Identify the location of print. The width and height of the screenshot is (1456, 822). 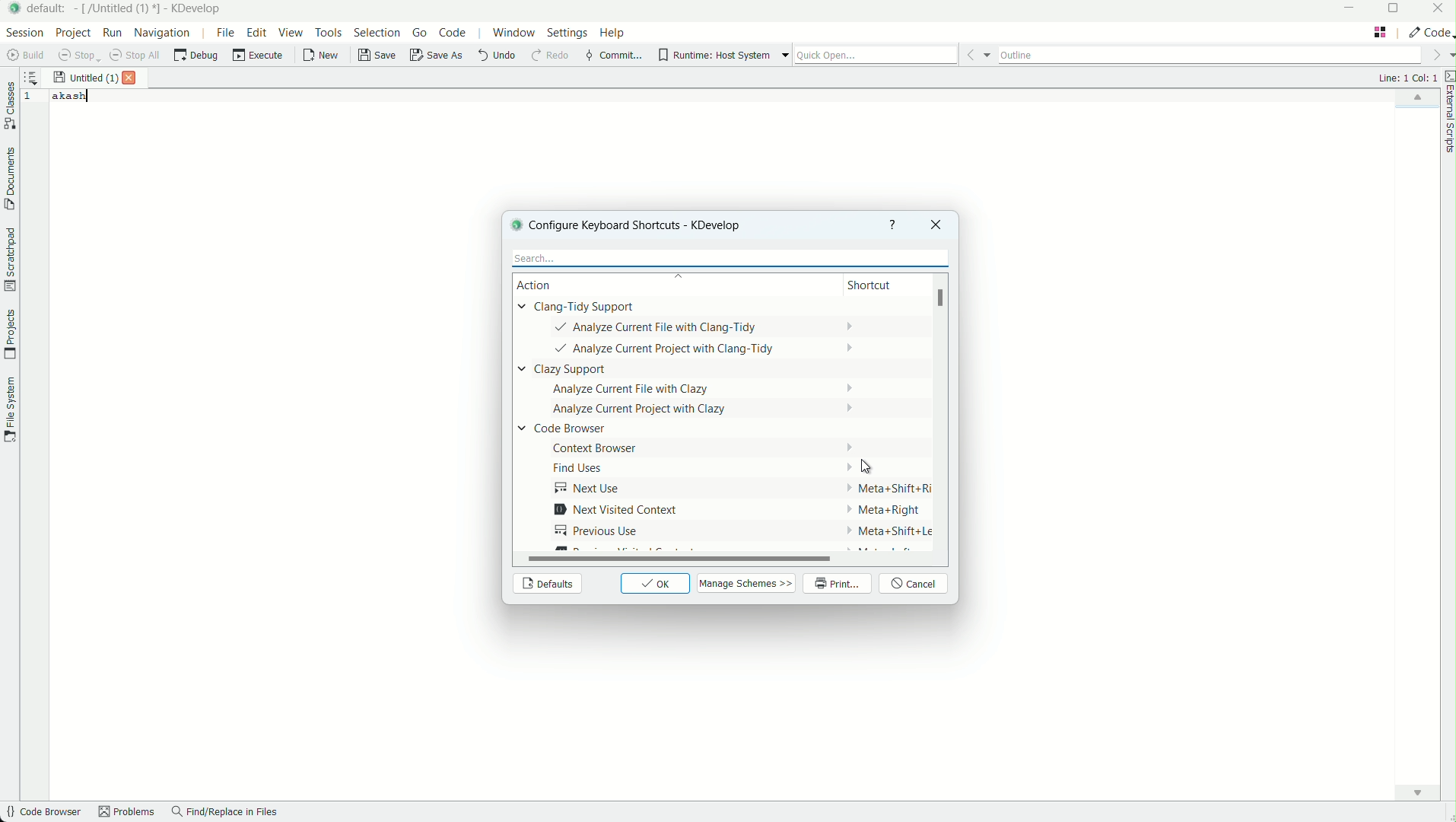
(838, 585).